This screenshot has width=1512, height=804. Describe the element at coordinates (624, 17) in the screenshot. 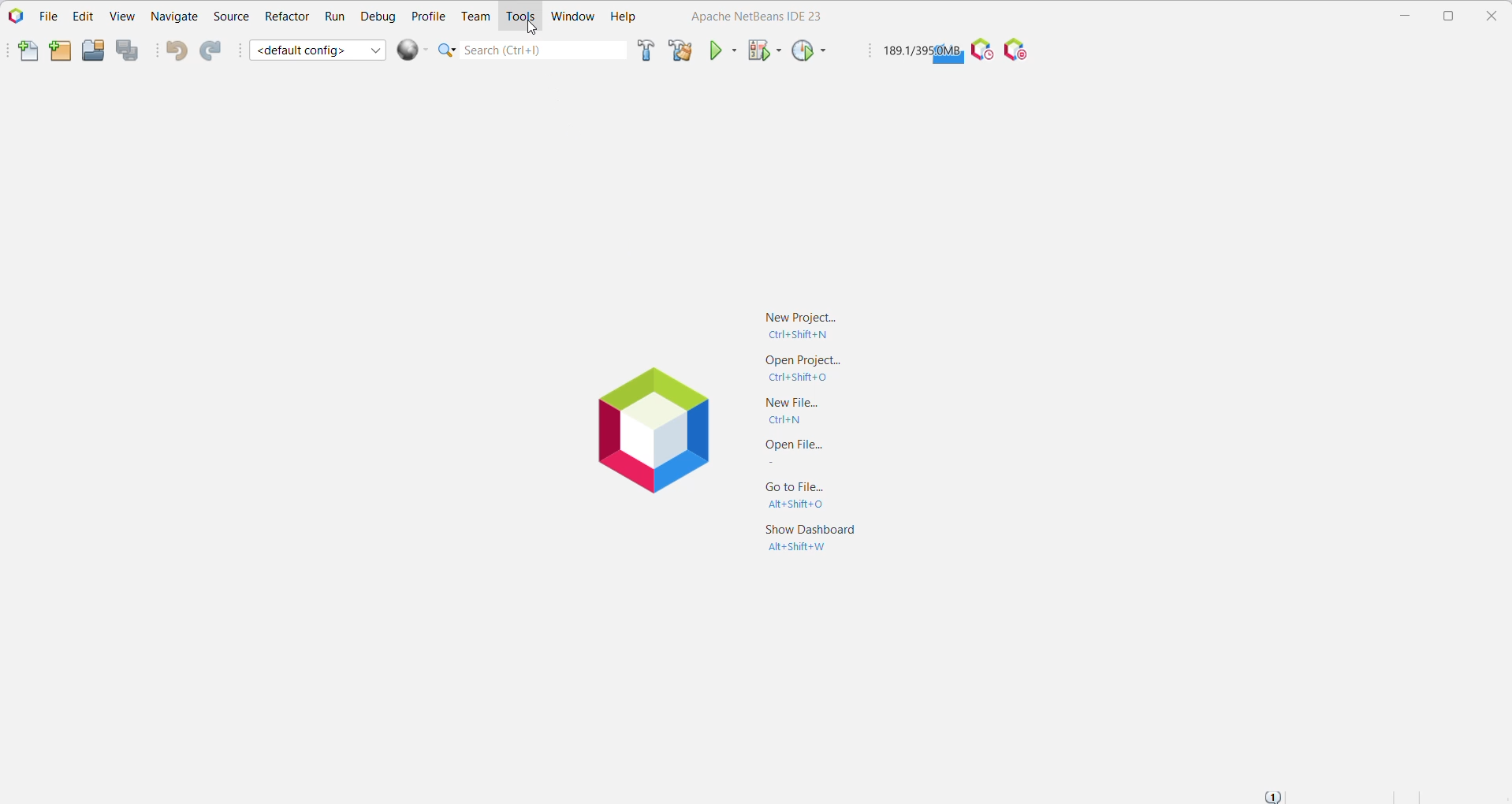

I see `Help` at that location.